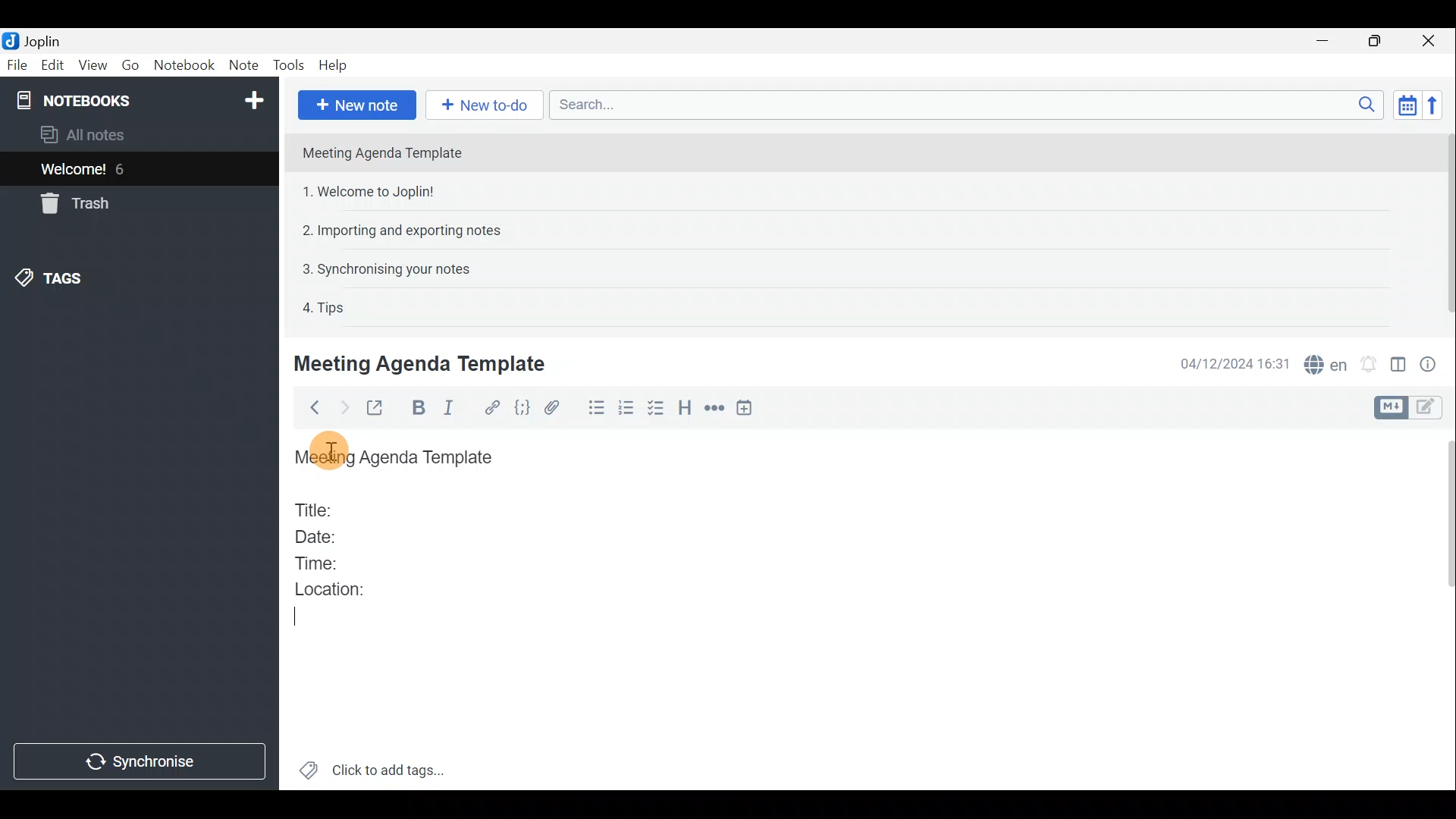 Image resolution: width=1456 pixels, height=819 pixels. What do you see at coordinates (53, 67) in the screenshot?
I see `Edit` at bounding box center [53, 67].